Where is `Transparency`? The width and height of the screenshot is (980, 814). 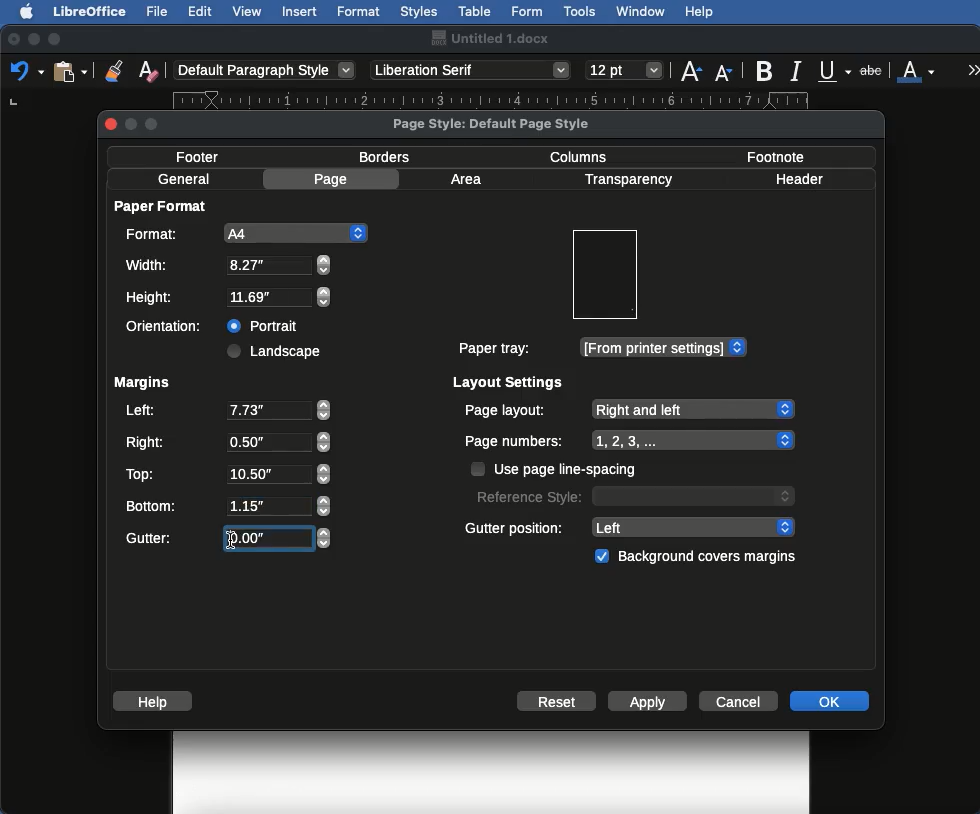
Transparency is located at coordinates (627, 180).